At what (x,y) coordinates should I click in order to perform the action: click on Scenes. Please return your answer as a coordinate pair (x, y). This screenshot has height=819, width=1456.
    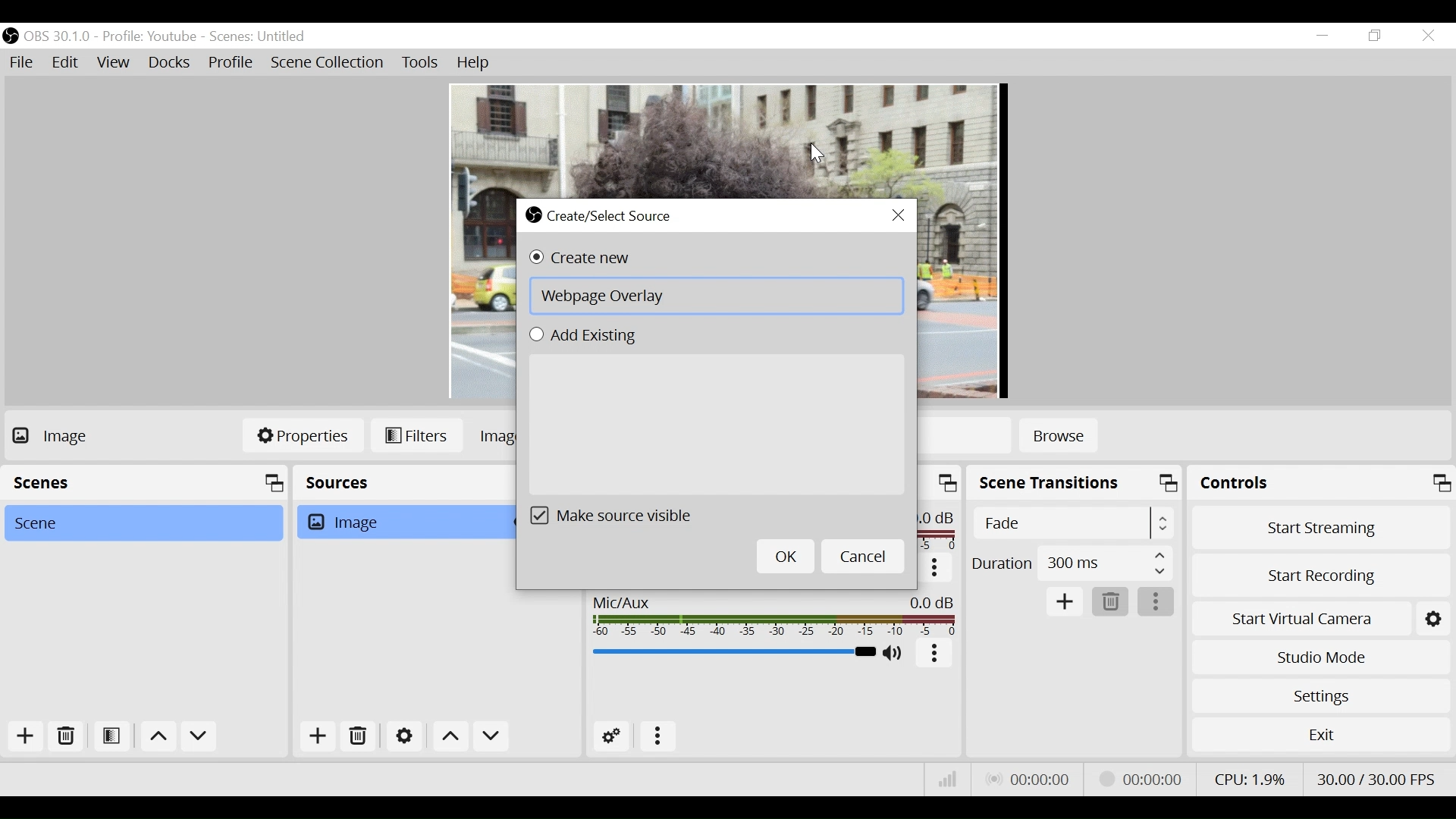
    Looking at the image, I should click on (146, 482).